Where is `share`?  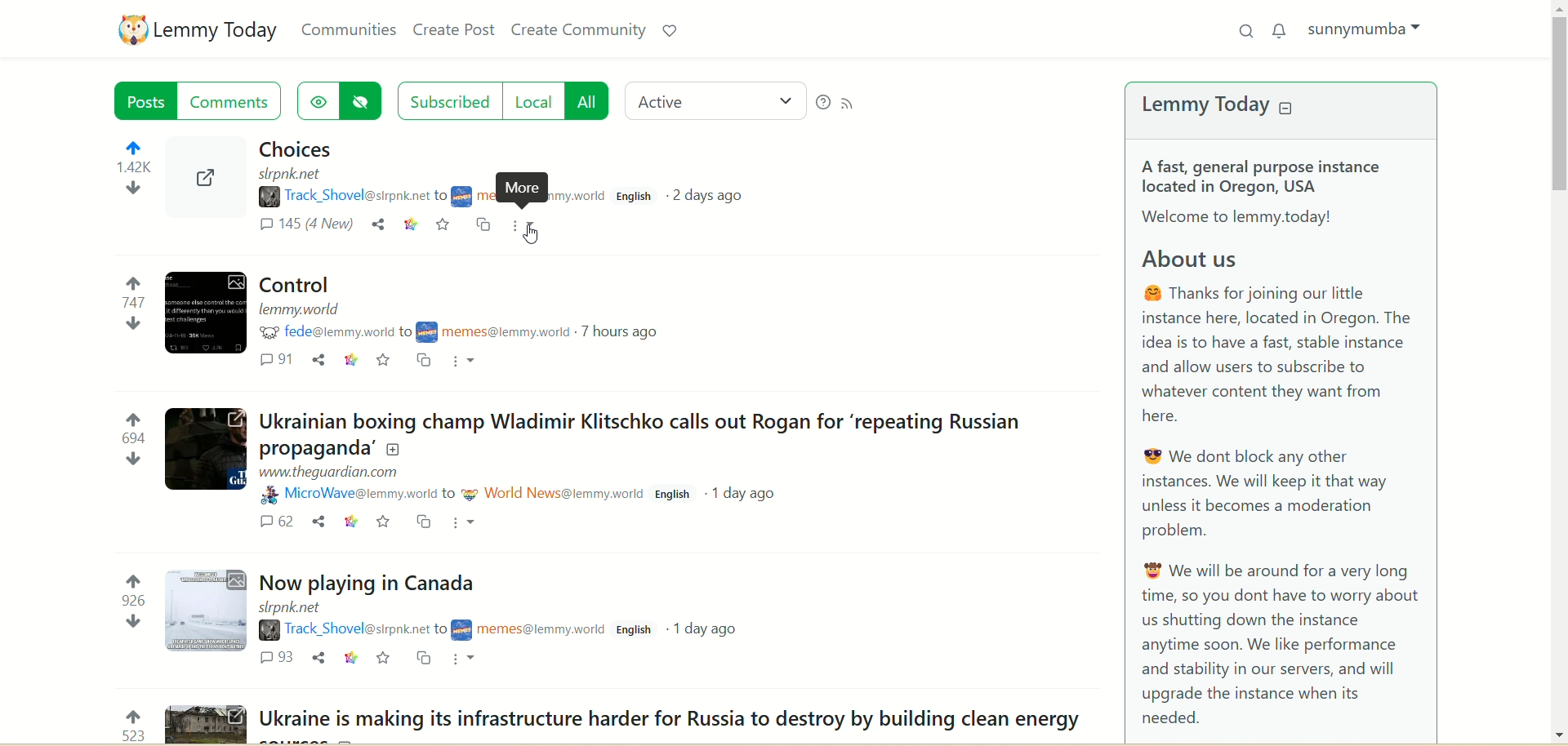 share is located at coordinates (317, 521).